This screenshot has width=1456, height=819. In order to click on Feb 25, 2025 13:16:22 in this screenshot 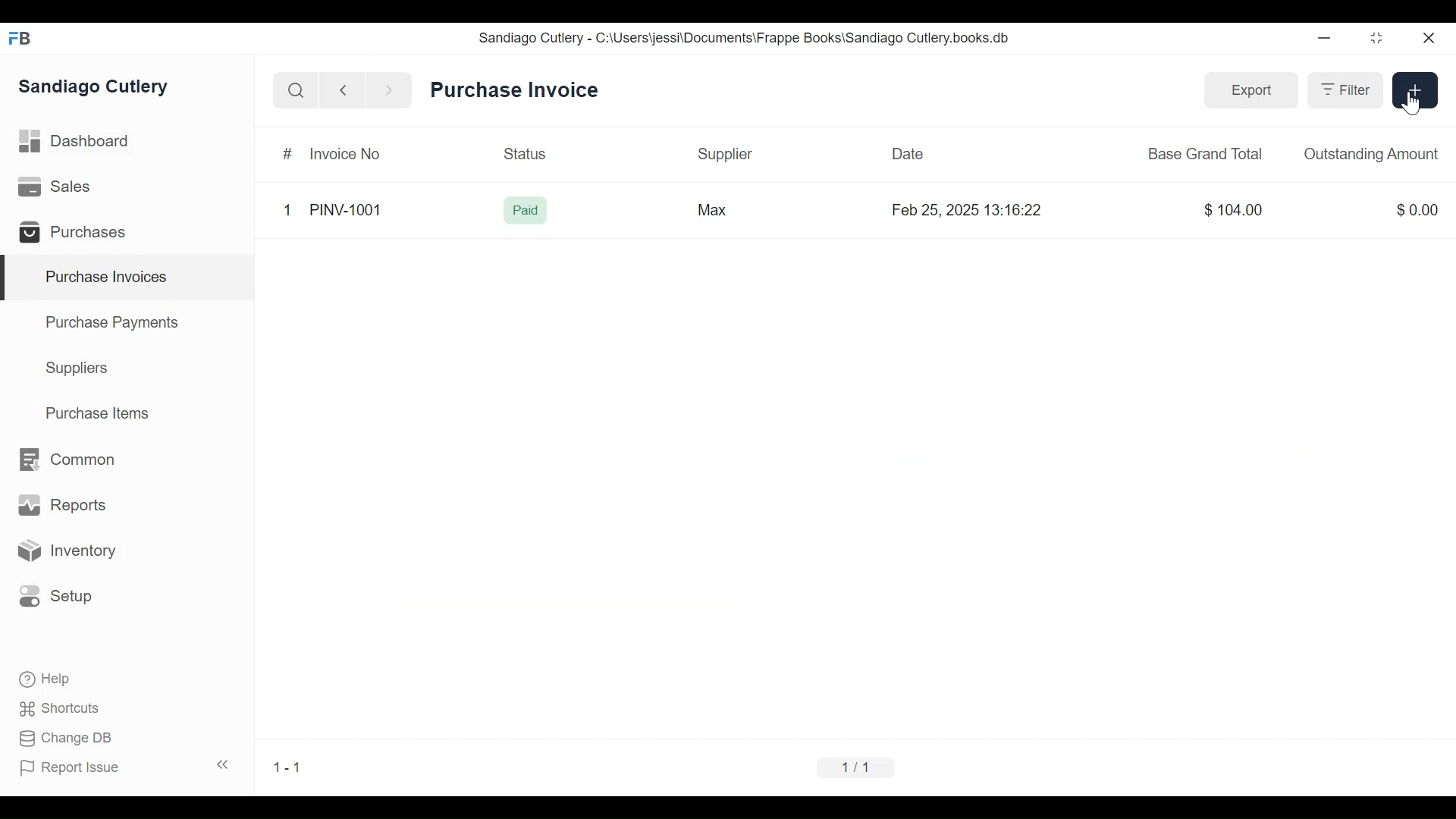, I will do `click(971, 210)`.